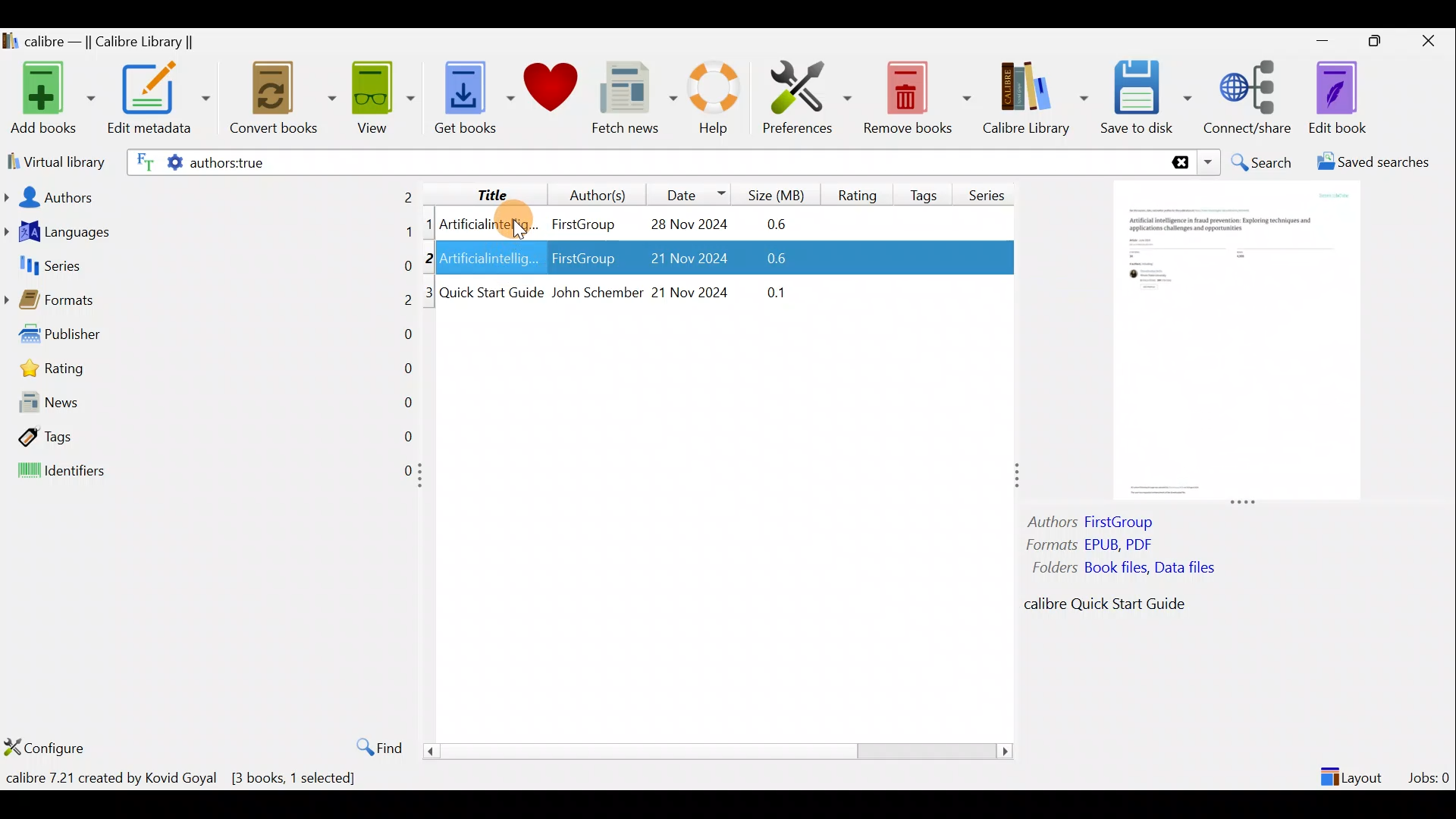 The height and width of the screenshot is (819, 1456). Describe the element at coordinates (491, 293) in the screenshot. I see `Quick Start Guide` at that location.